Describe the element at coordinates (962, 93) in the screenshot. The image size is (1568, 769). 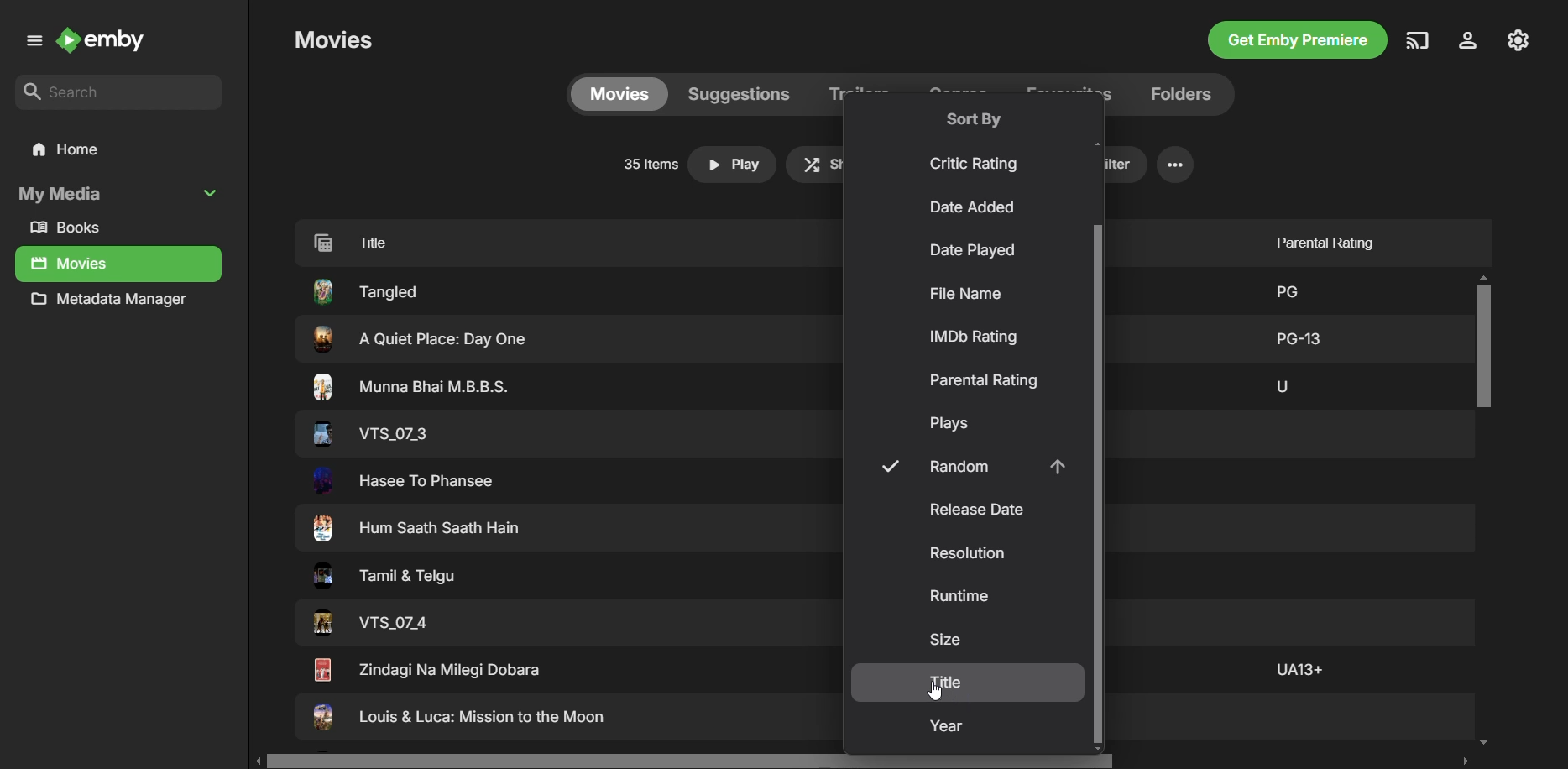
I see `Genres` at that location.